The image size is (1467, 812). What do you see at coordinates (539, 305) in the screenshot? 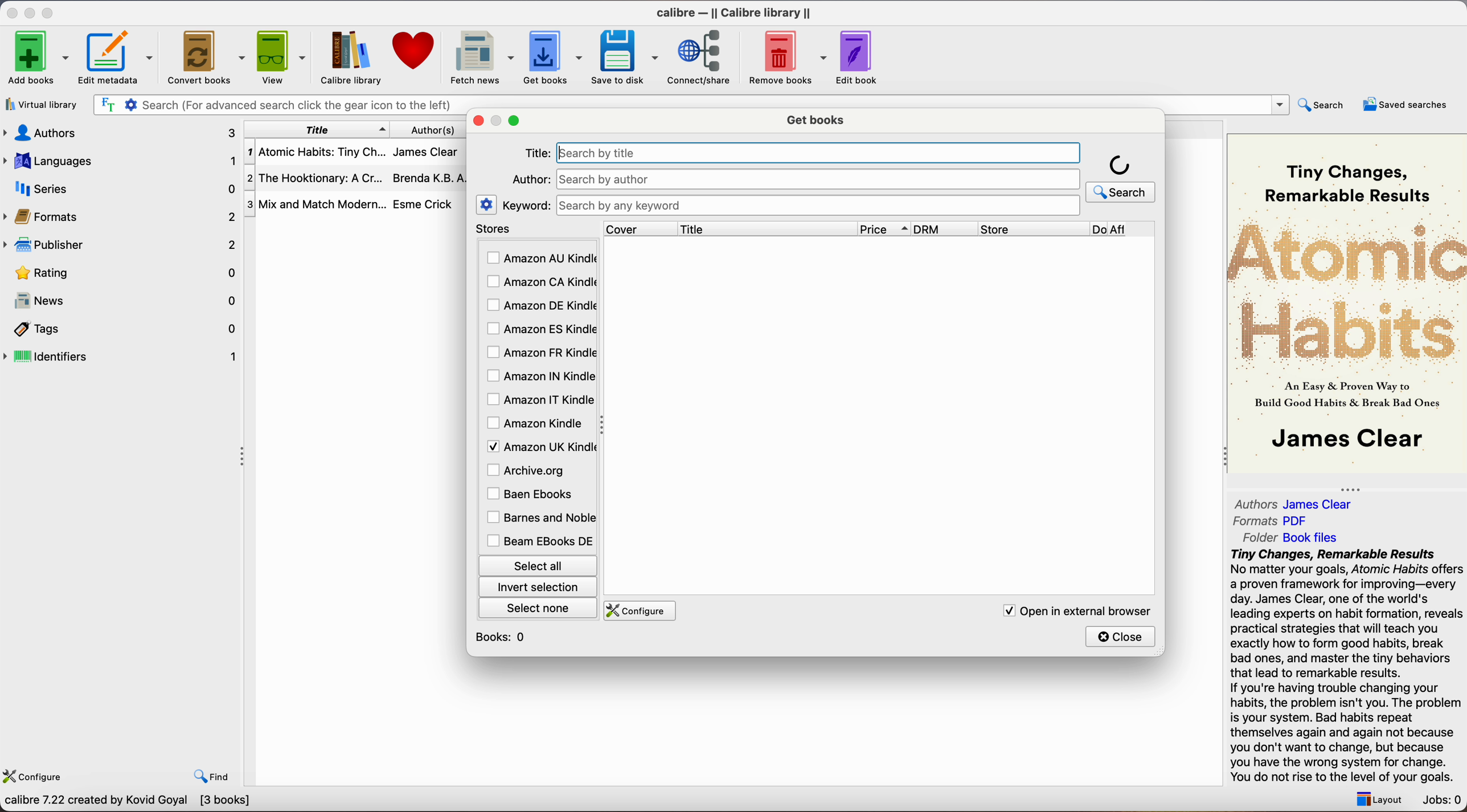
I see `amazon DE Kindle` at bounding box center [539, 305].